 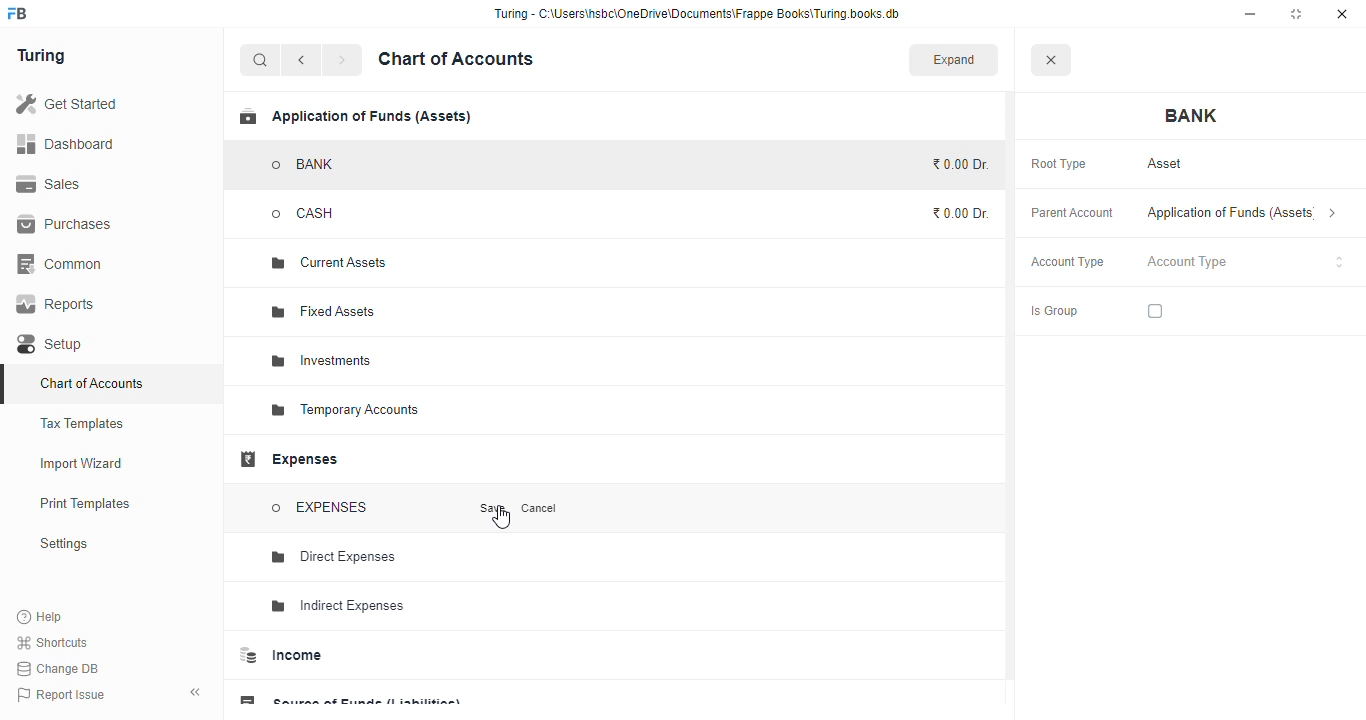 I want to click on common, so click(x=61, y=264).